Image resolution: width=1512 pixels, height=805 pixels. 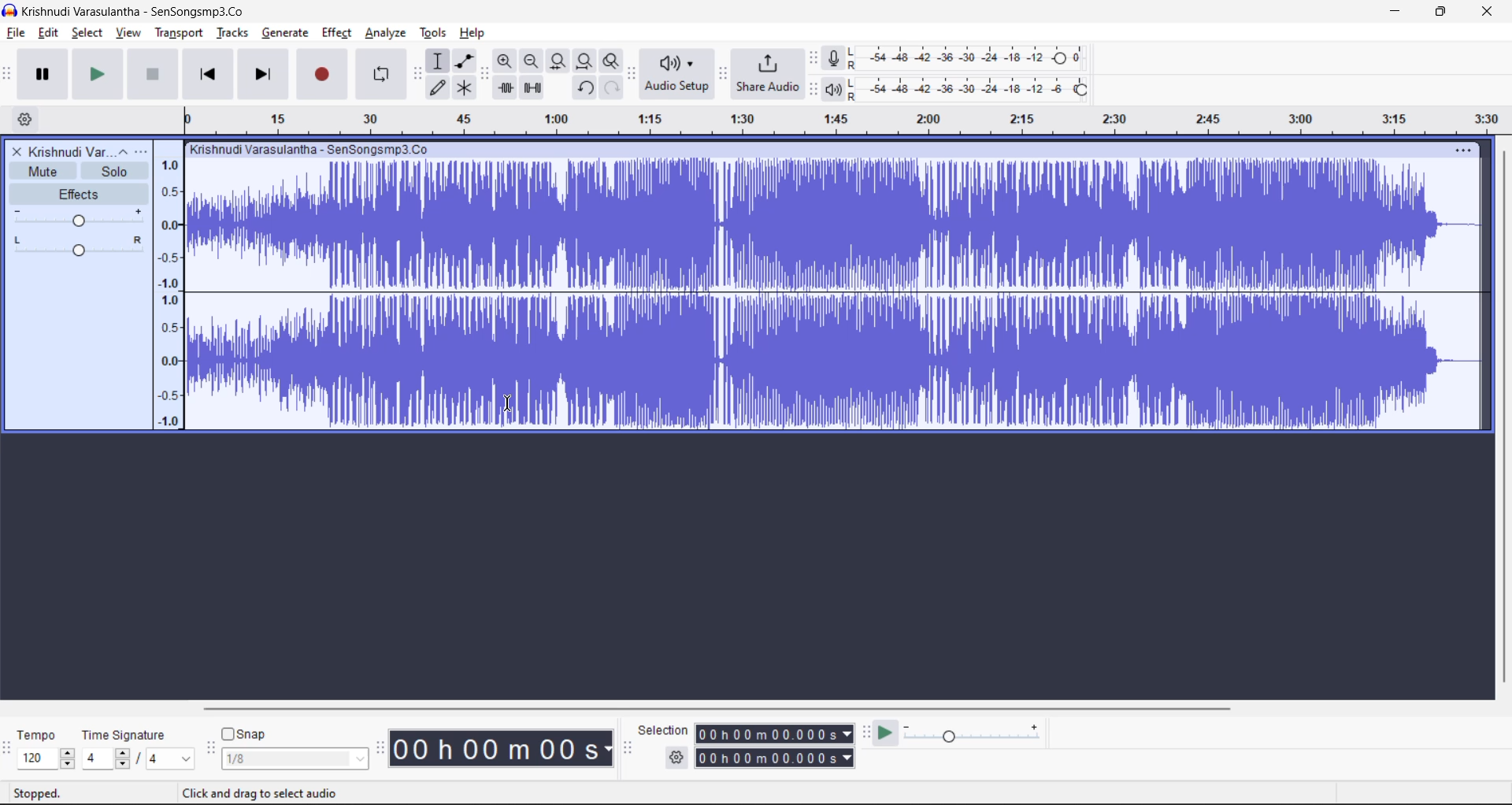 What do you see at coordinates (89, 33) in the screenshot?
I see `select` at bounding box center [89, 33].